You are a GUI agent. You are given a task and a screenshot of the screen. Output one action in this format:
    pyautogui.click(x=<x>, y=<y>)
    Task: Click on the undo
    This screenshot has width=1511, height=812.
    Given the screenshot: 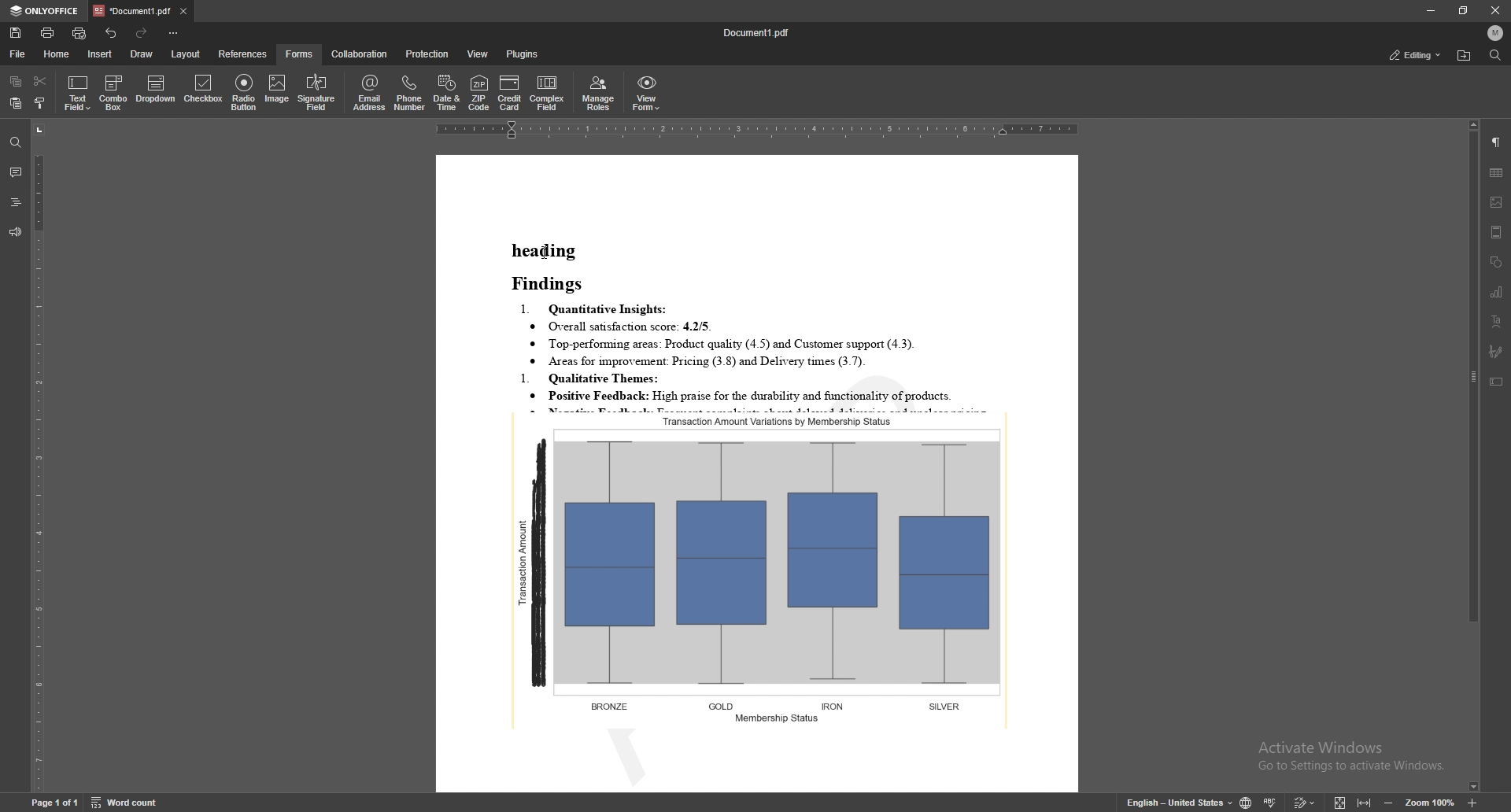 What is the action you would take?
    pyautogui.click(x=111, y=34)
    